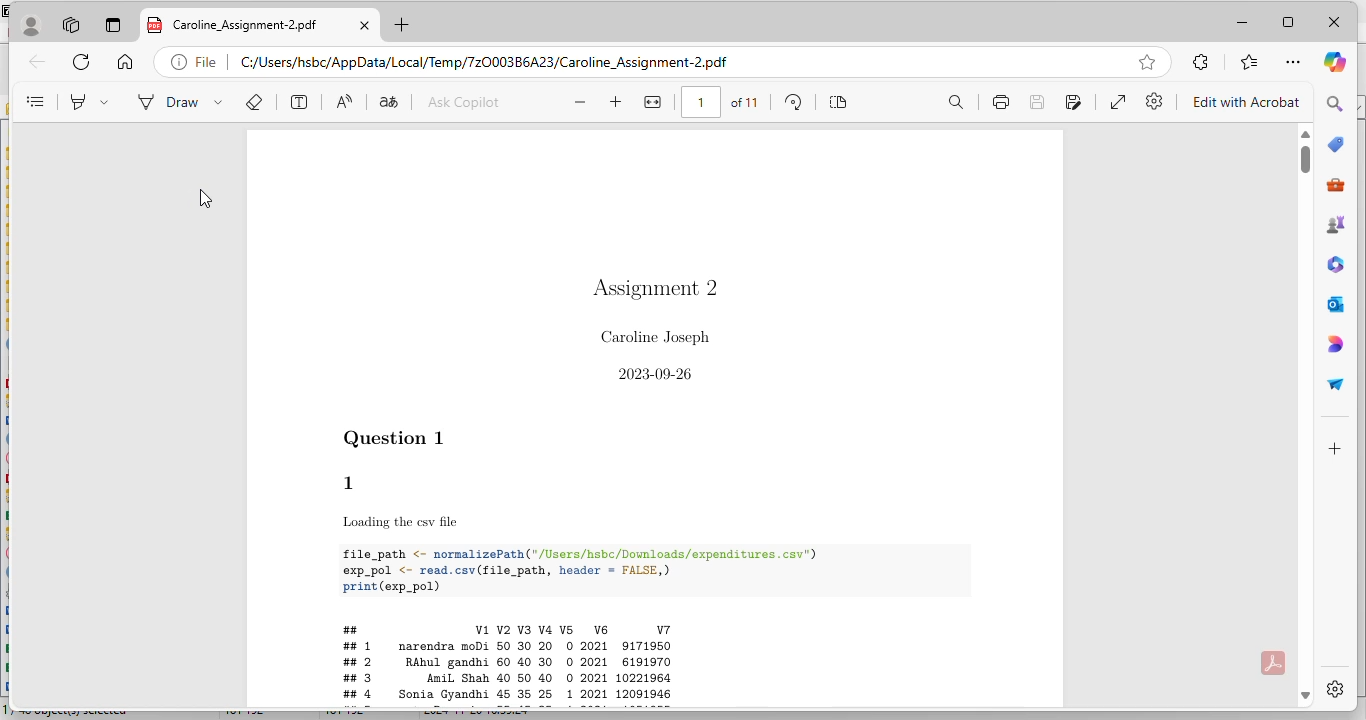 The height and width of the screenshot is (720, 1366). I want to click on settings, so click(1335, 689).